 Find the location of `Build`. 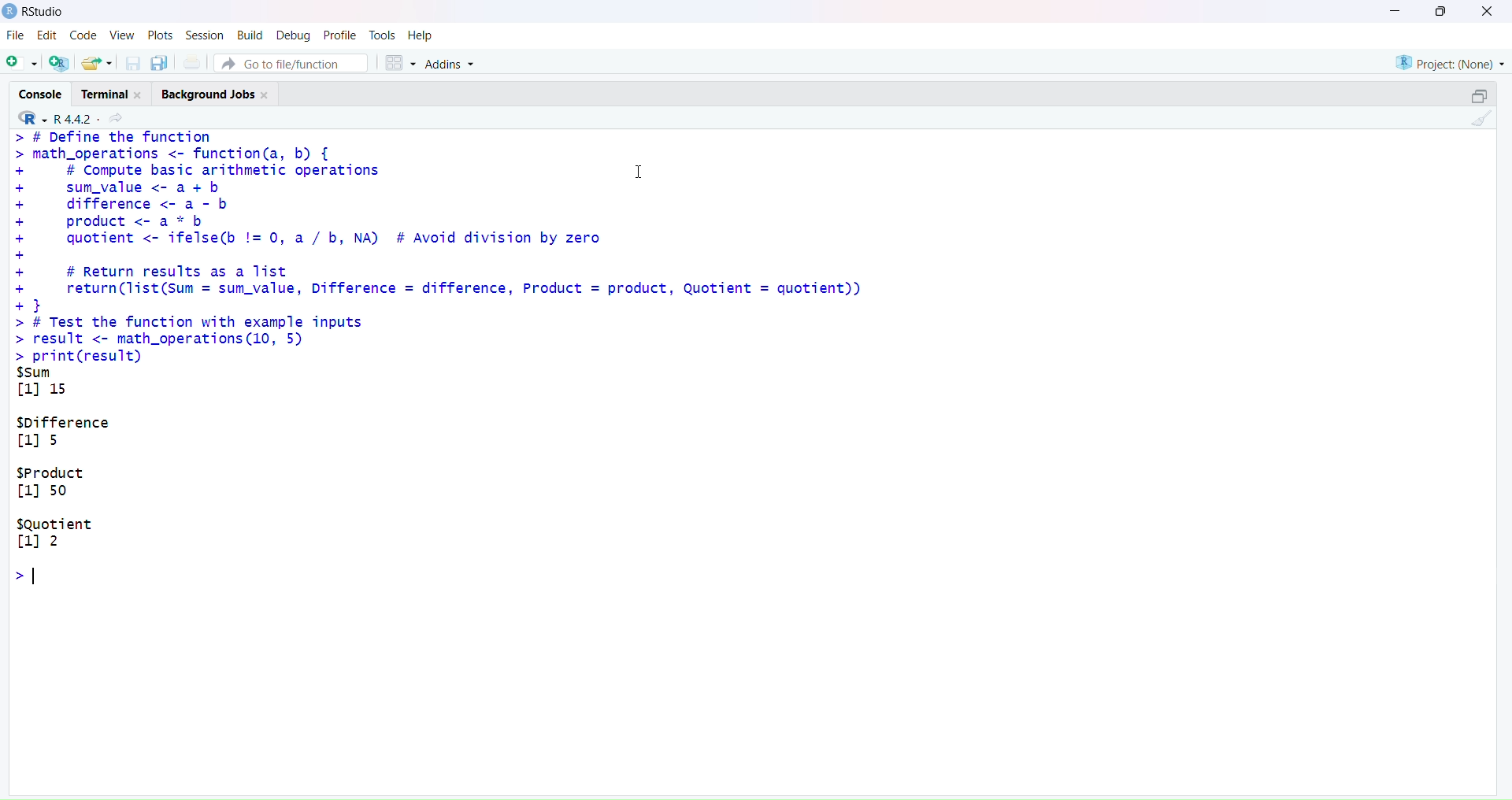

Build is located at coordinates (246, 35).